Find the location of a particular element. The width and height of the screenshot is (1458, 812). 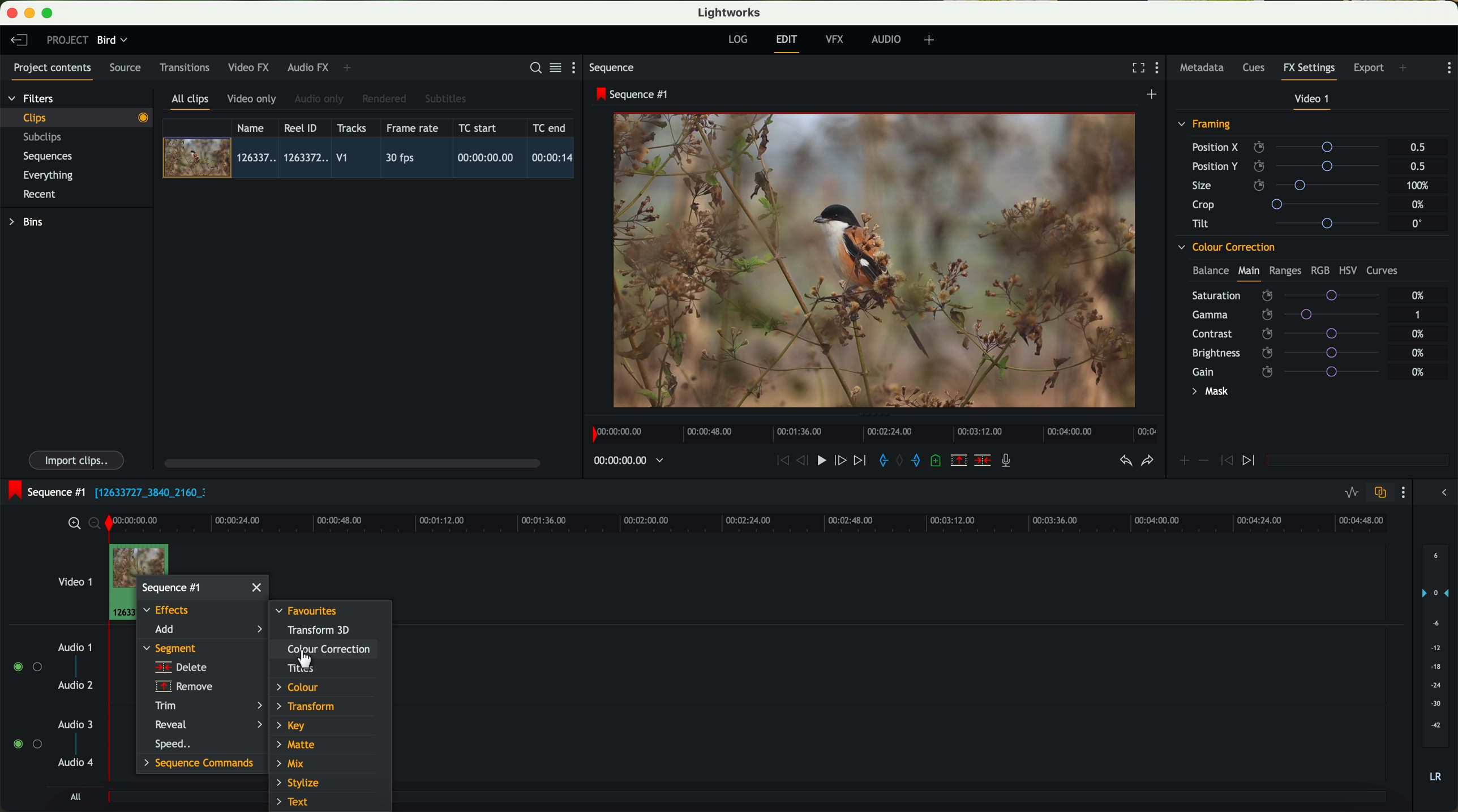

sequence is located at coordinates (612, 68).